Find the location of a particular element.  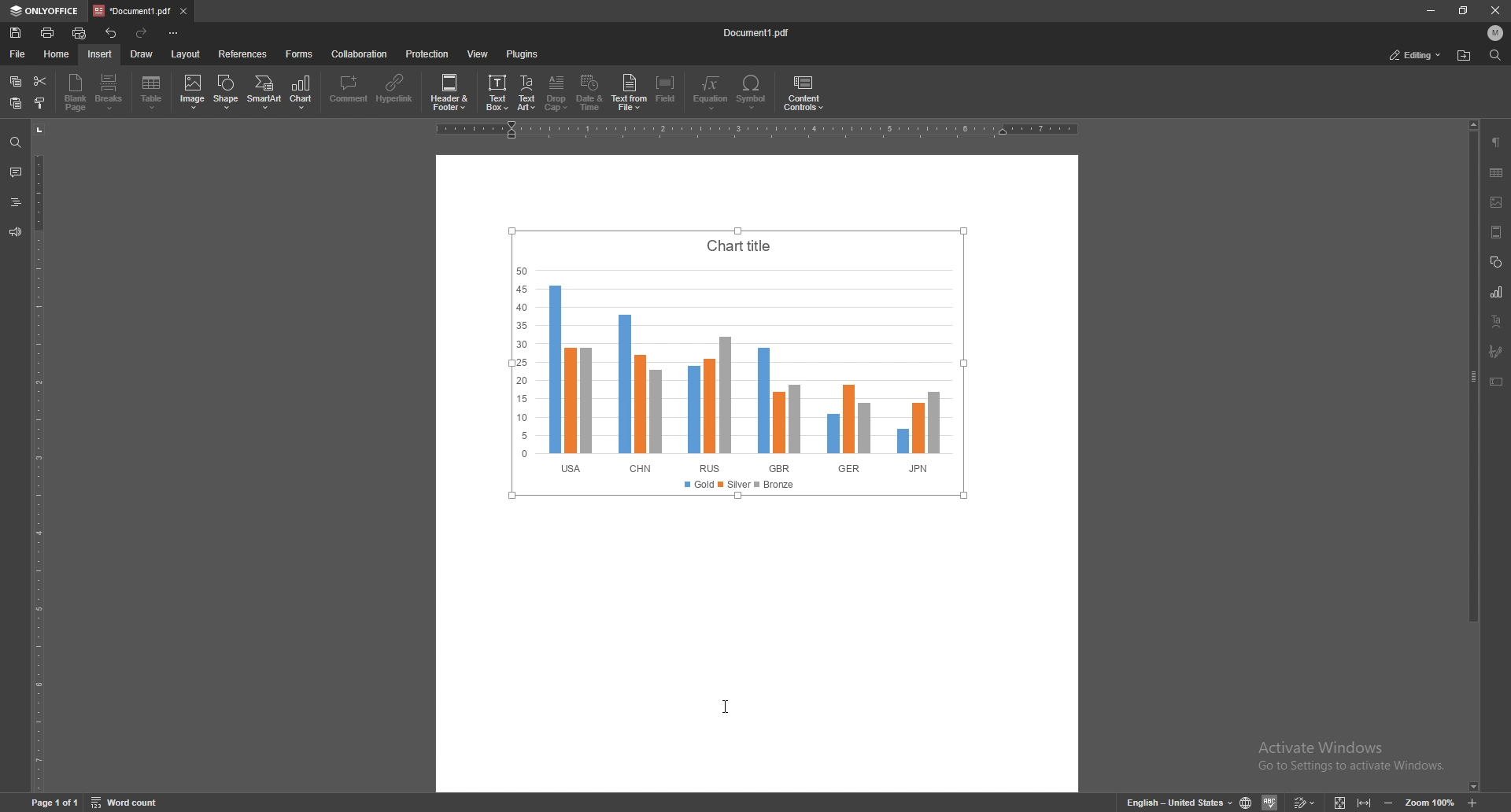

signature field is located at coordinates (1495, 352).